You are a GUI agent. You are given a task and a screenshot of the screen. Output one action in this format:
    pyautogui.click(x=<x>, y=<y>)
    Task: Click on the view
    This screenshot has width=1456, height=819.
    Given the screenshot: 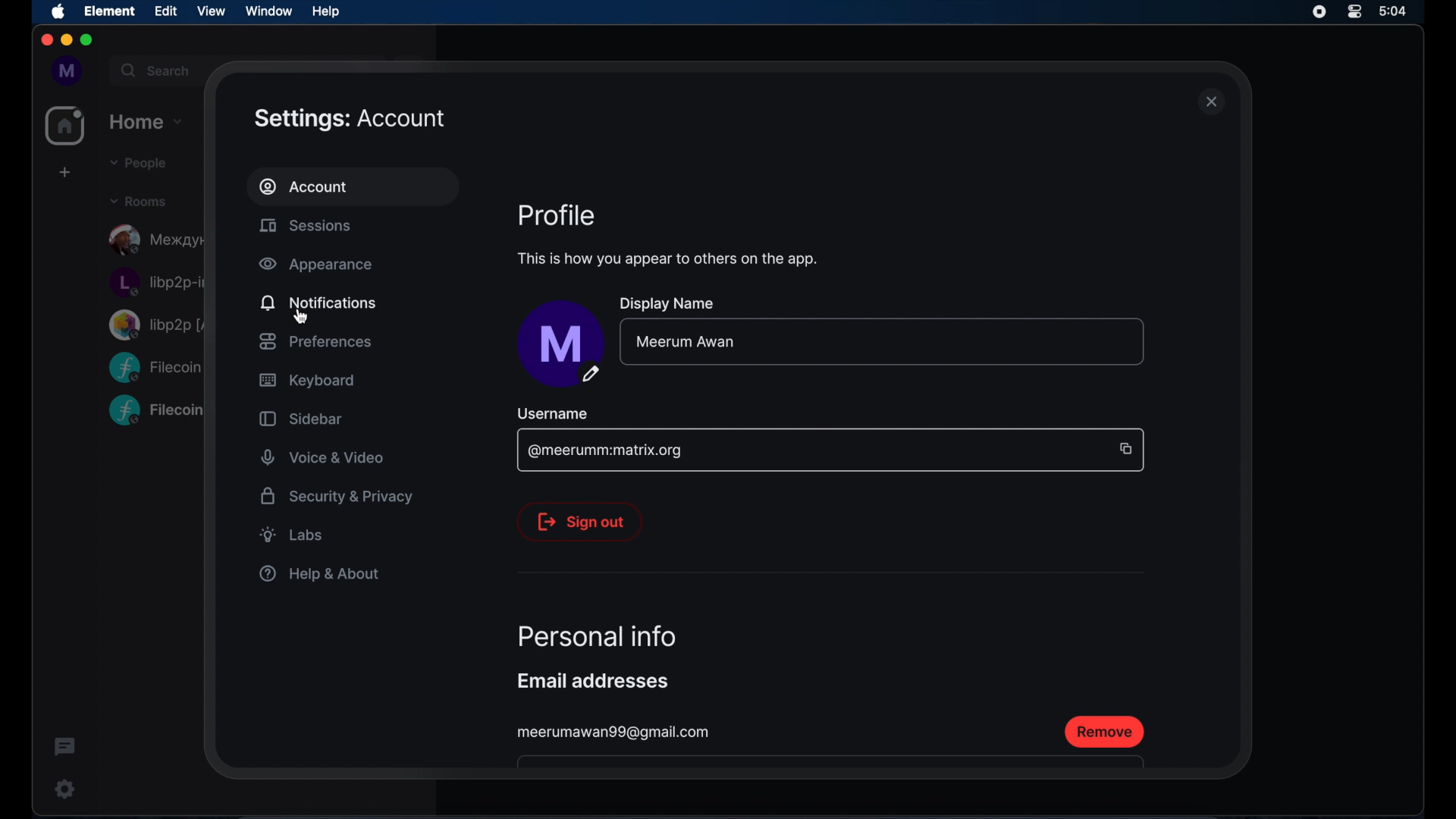 What is the action you would take?
    pyautogui.click(x=211, y=11)
    